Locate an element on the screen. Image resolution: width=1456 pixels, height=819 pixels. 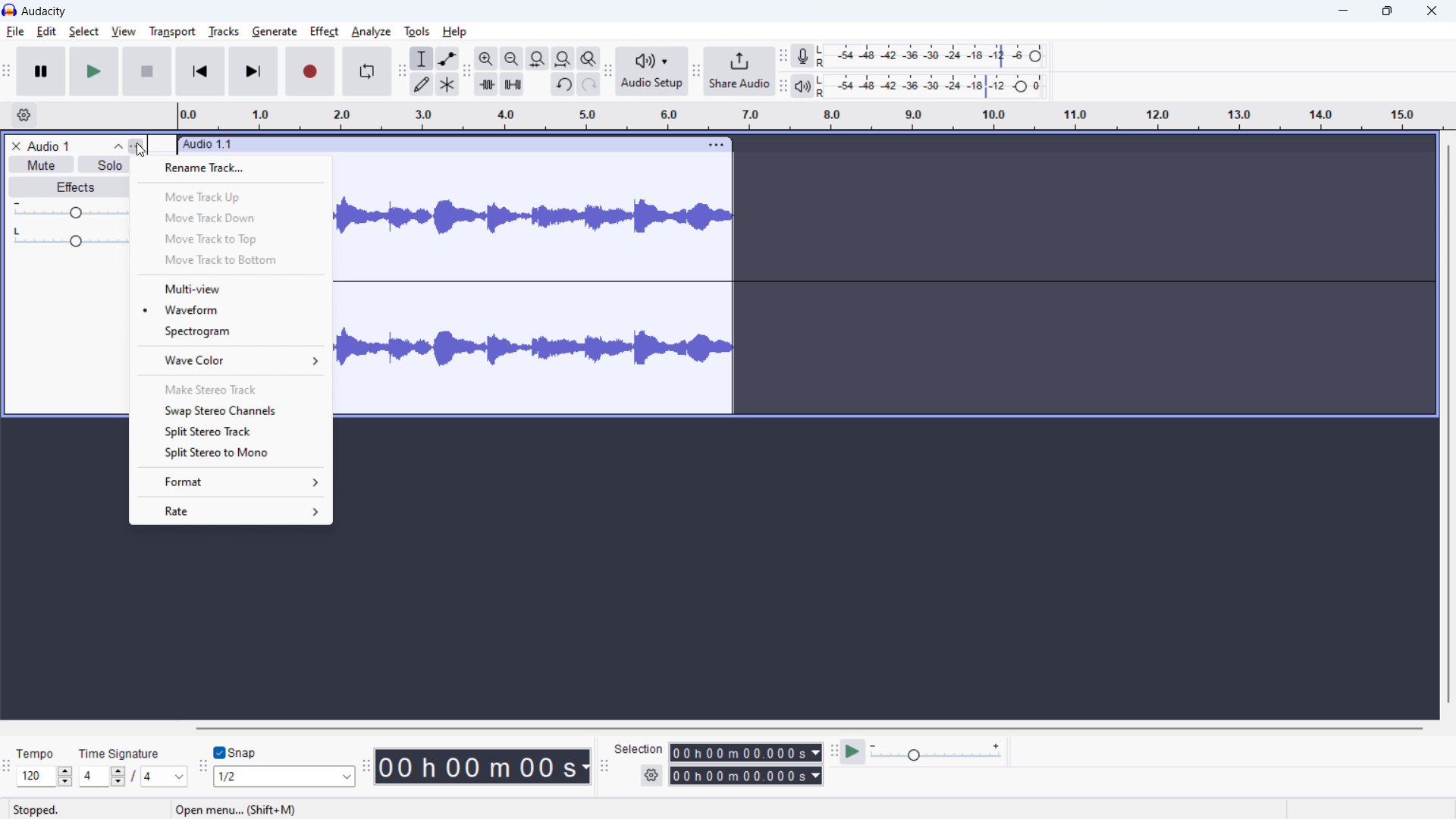
track options is located at coordinates (714, 145).